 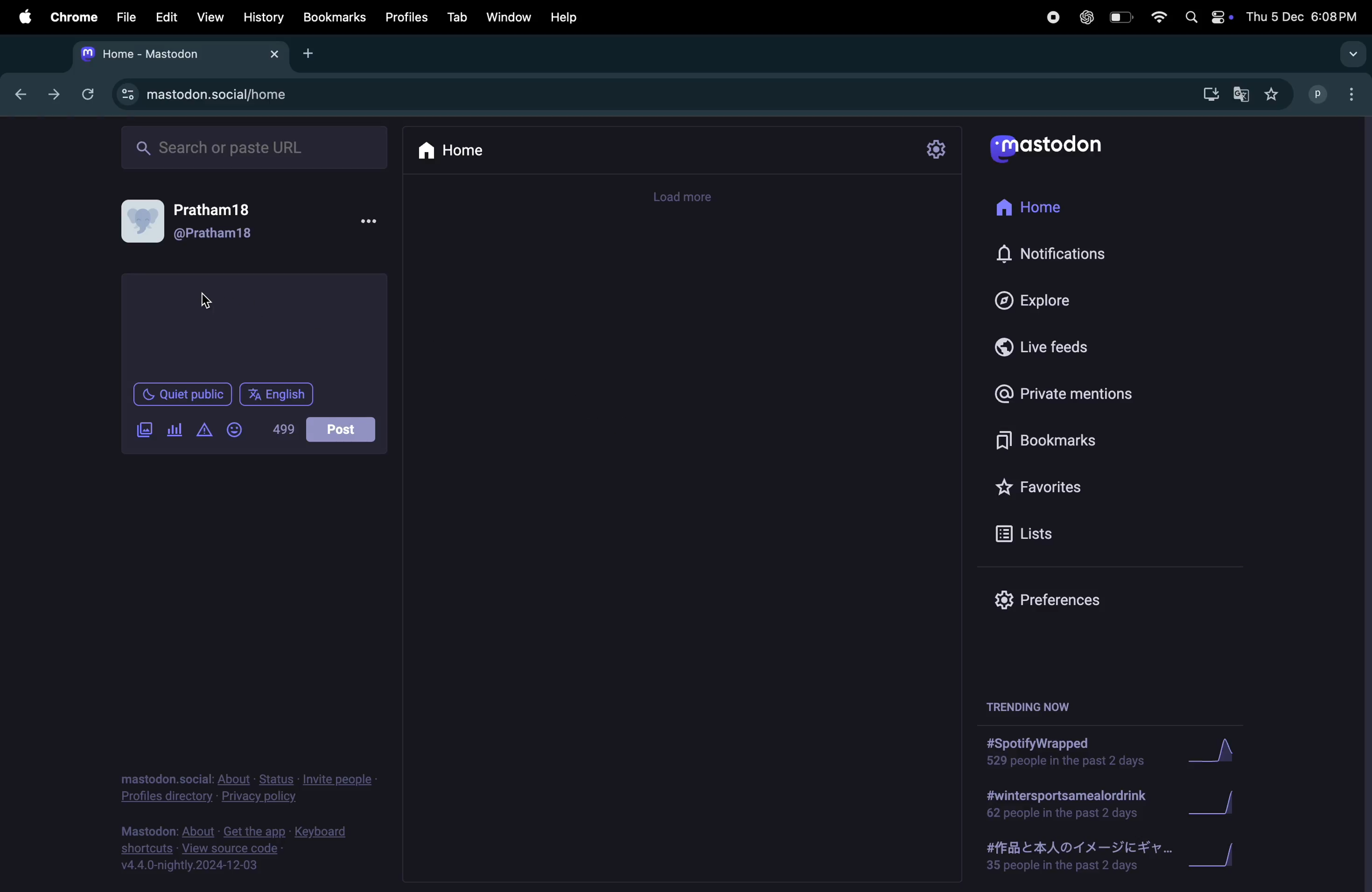 I want to click on #wintersportdrink, so click(x=1067, y=804).